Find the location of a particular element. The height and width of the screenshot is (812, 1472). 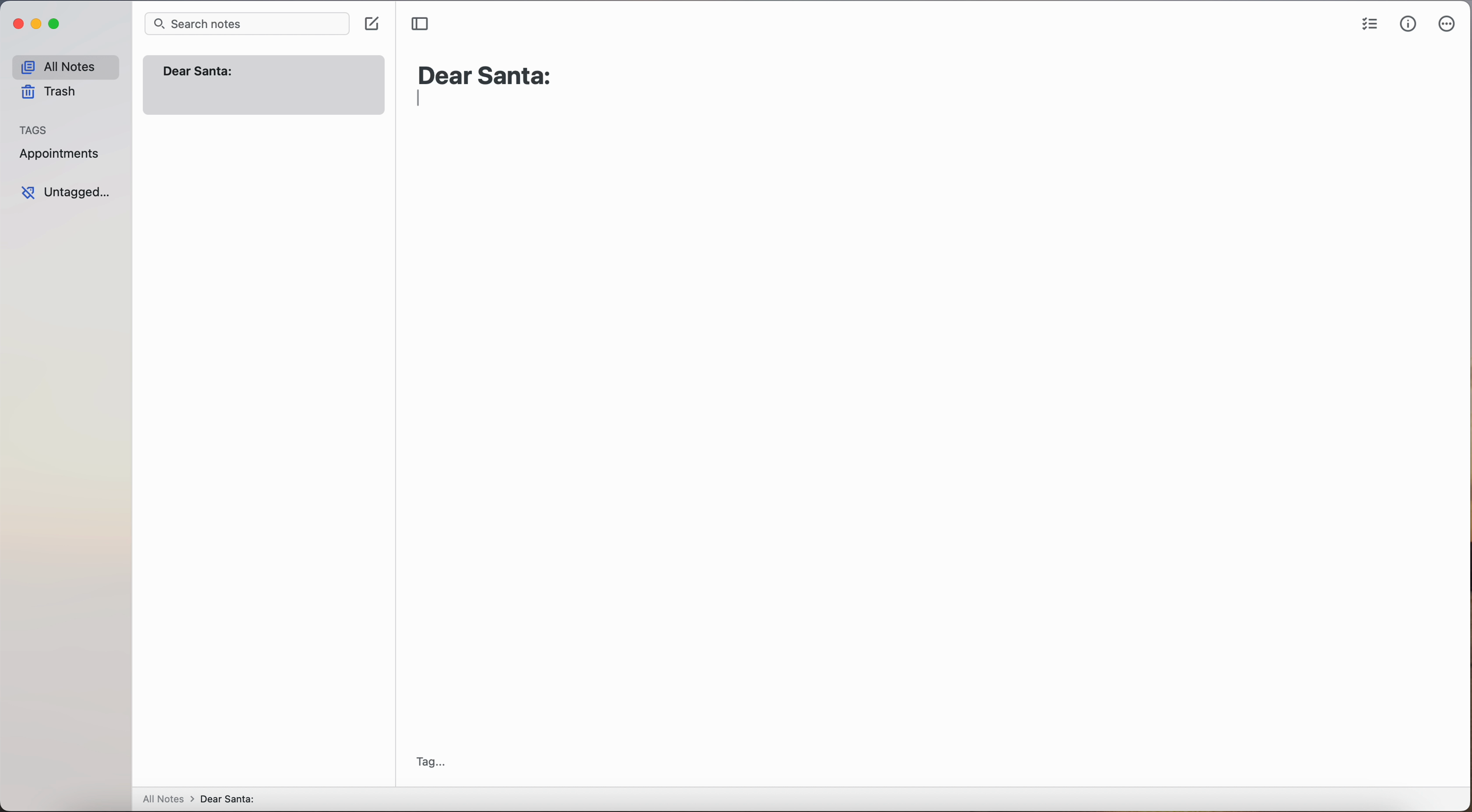

more options is located at coordinates (1449, 23).